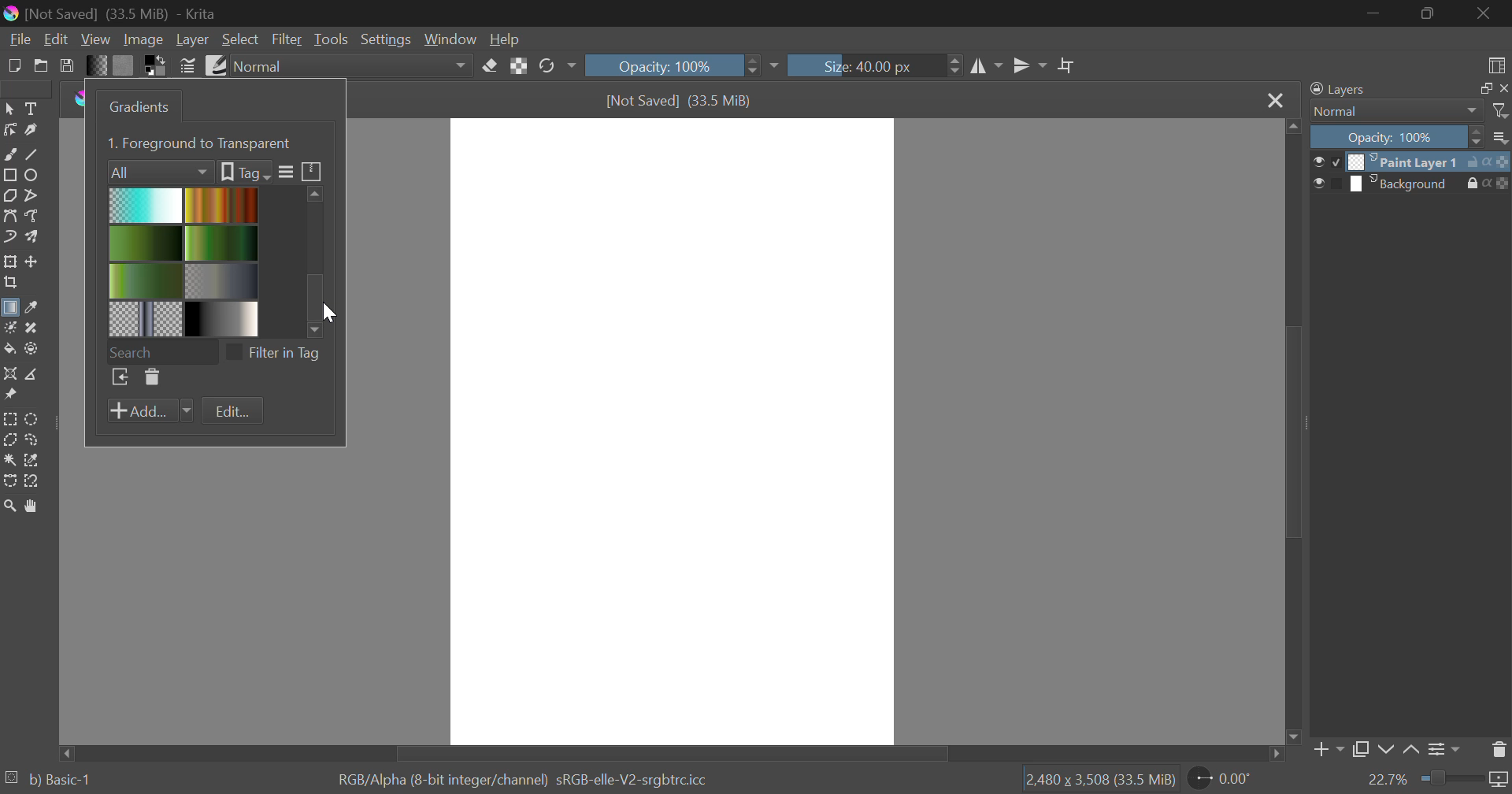 This screenshot has height=794, width=1512. I want to click on Multibrush Tool, so click(31, 238).